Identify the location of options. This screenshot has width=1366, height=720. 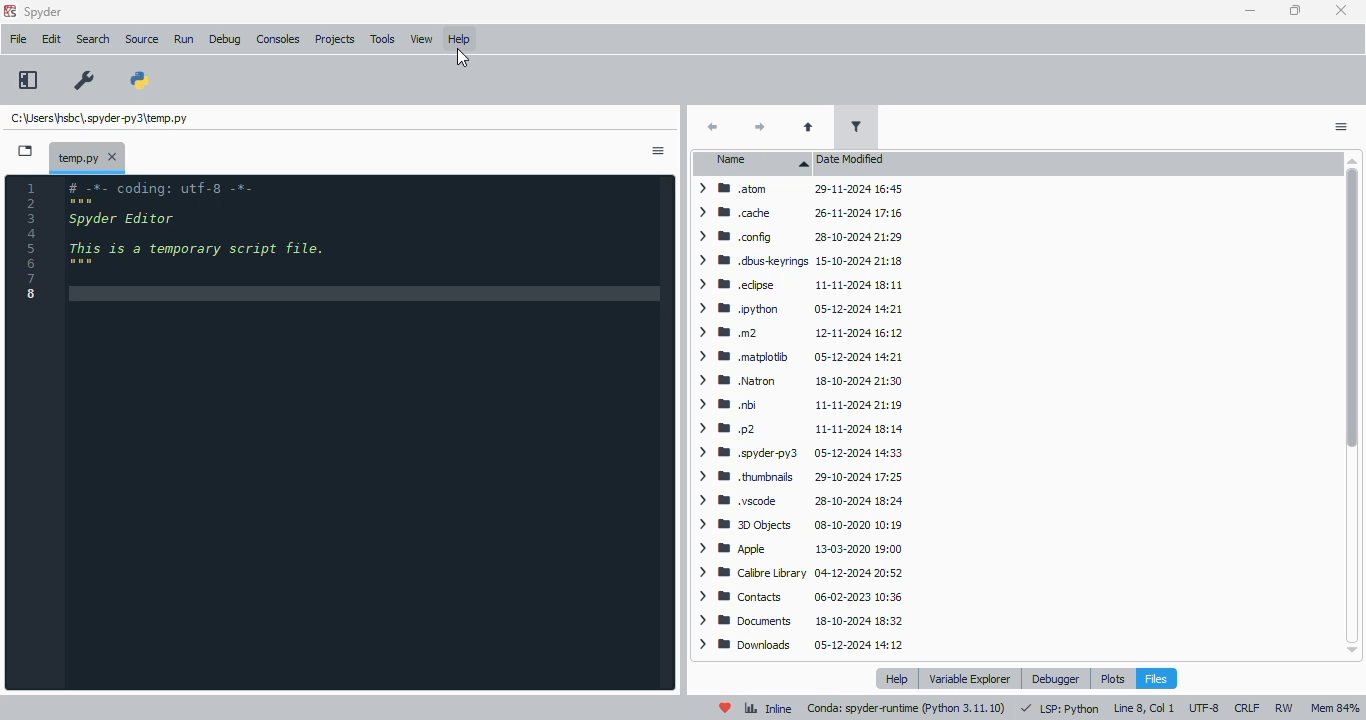
(659, 152).